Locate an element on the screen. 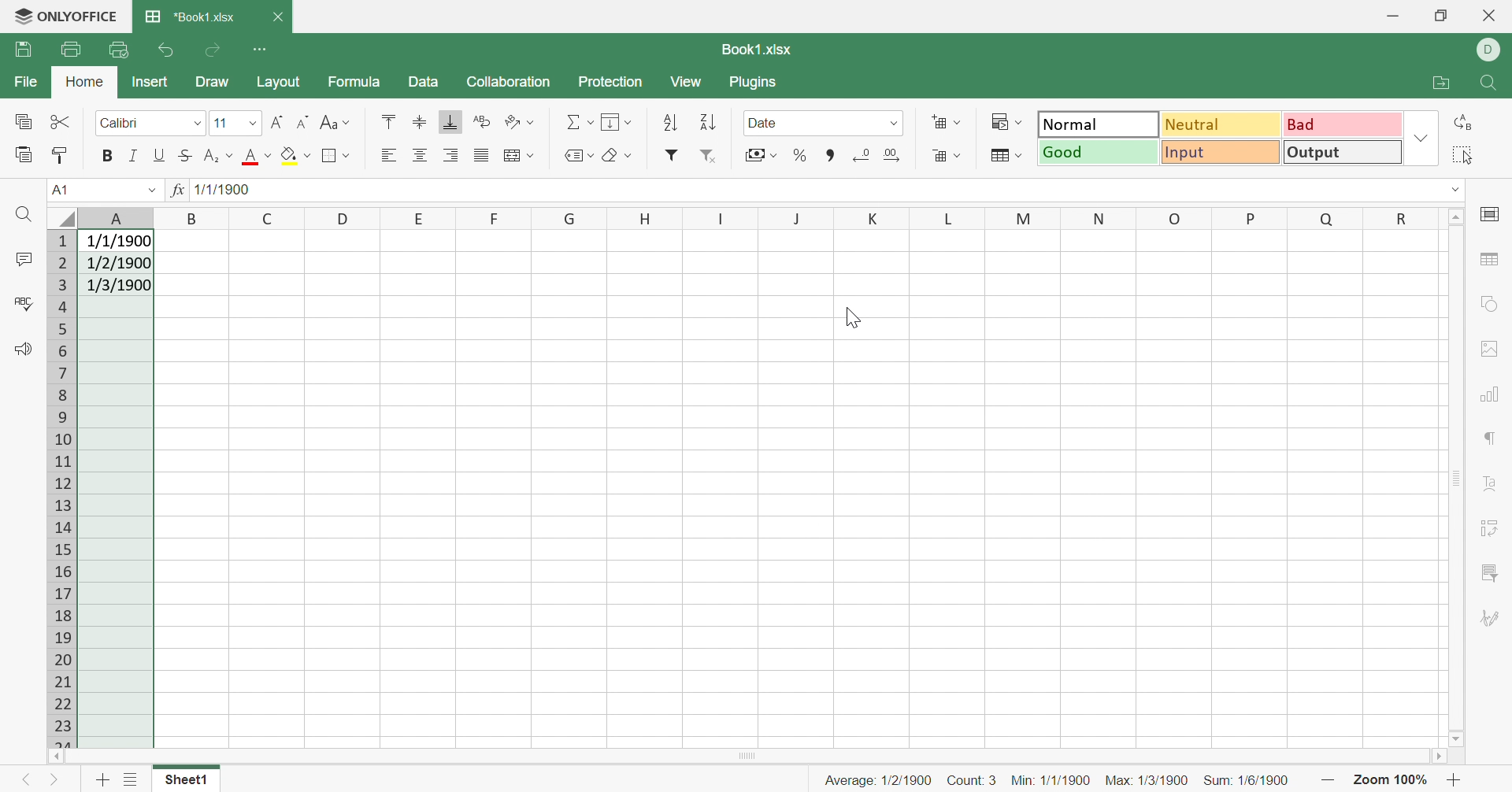 Image resolution: width=1512 pixels, height=792 pixels. Wrap text is located at coordinates (521, 157).